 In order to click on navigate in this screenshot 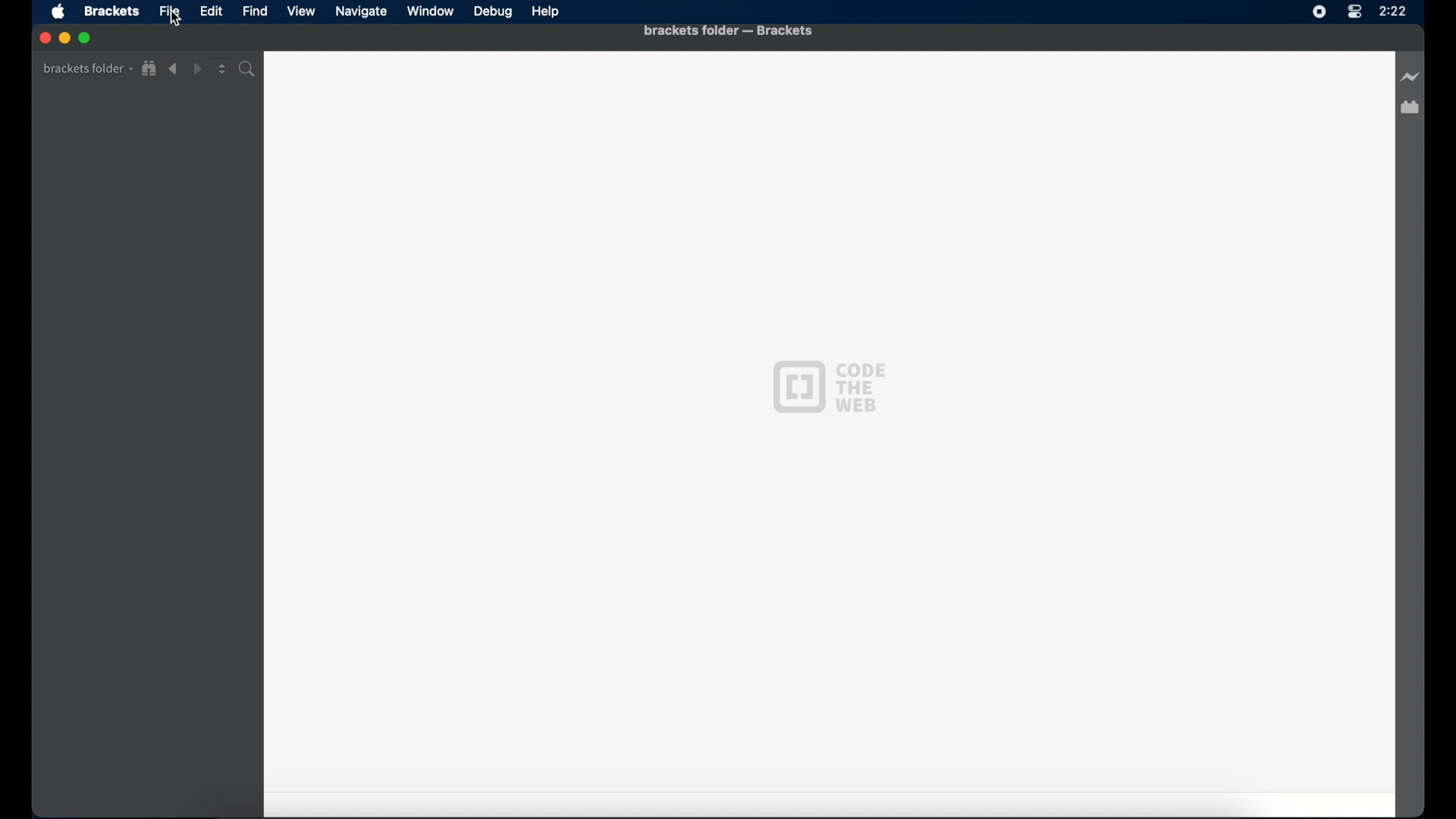, I will do `click(360, 11)`.